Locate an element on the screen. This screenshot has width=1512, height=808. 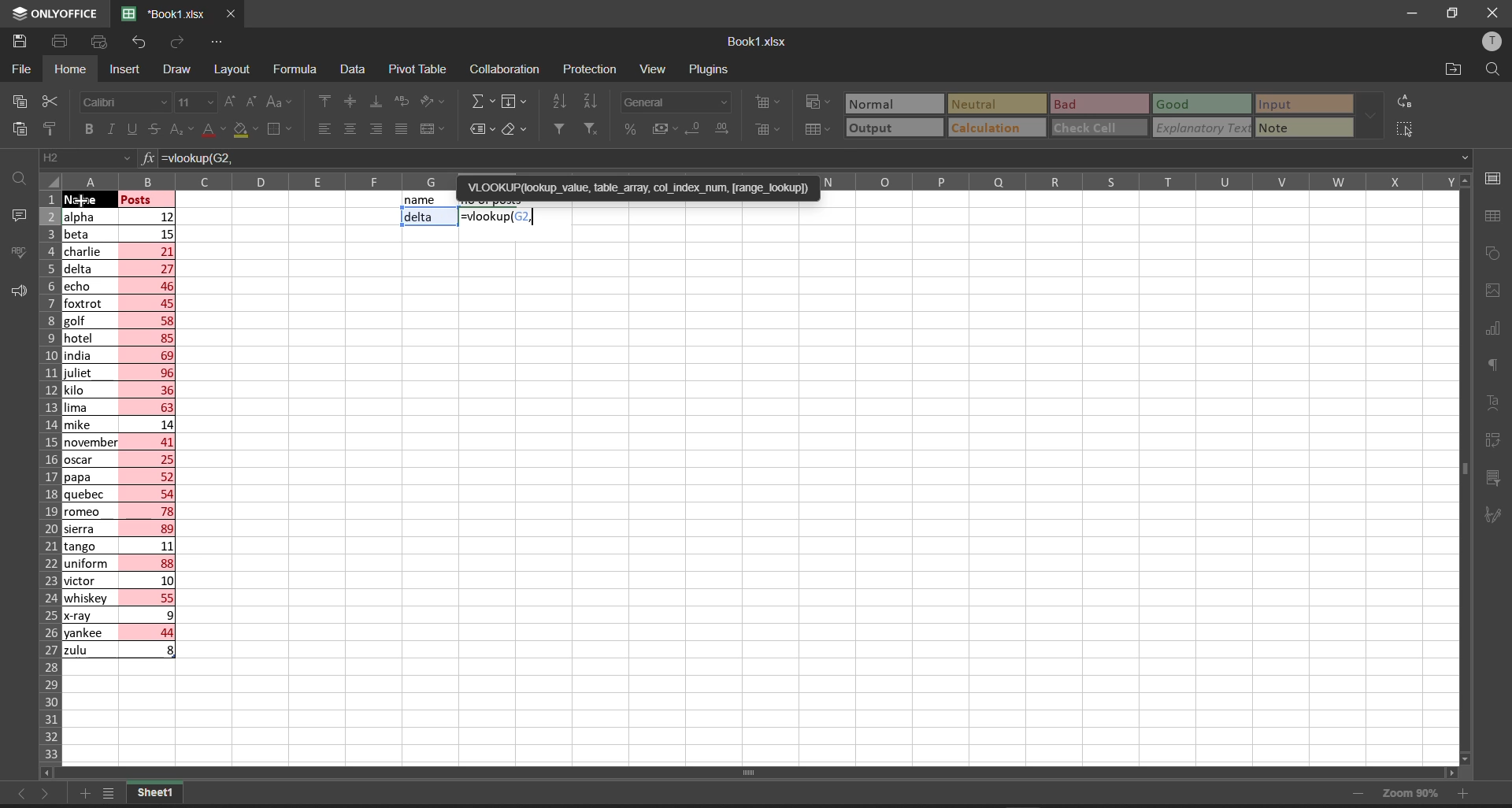
select all is located at coordinates (1403, 128).